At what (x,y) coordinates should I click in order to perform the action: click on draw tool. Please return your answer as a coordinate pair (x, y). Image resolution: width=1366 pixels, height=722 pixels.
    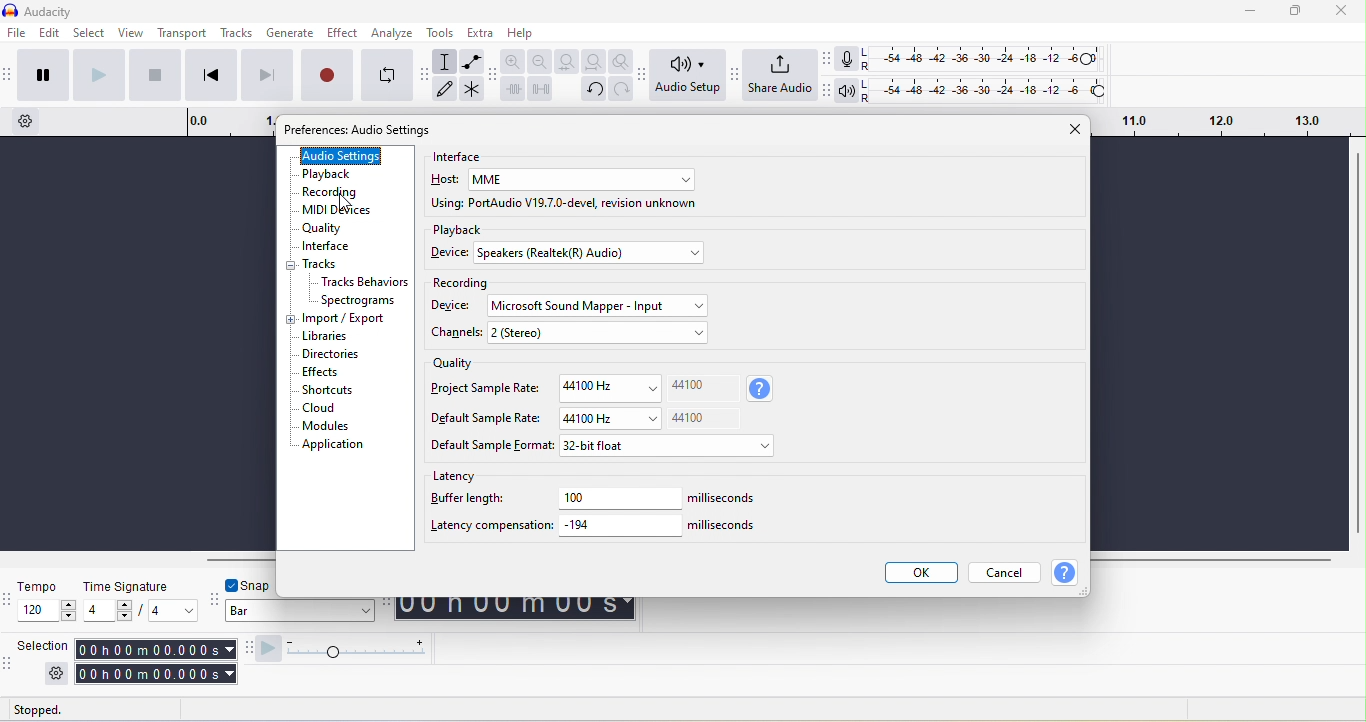
    Looking at the image, I should click on (445, 88).